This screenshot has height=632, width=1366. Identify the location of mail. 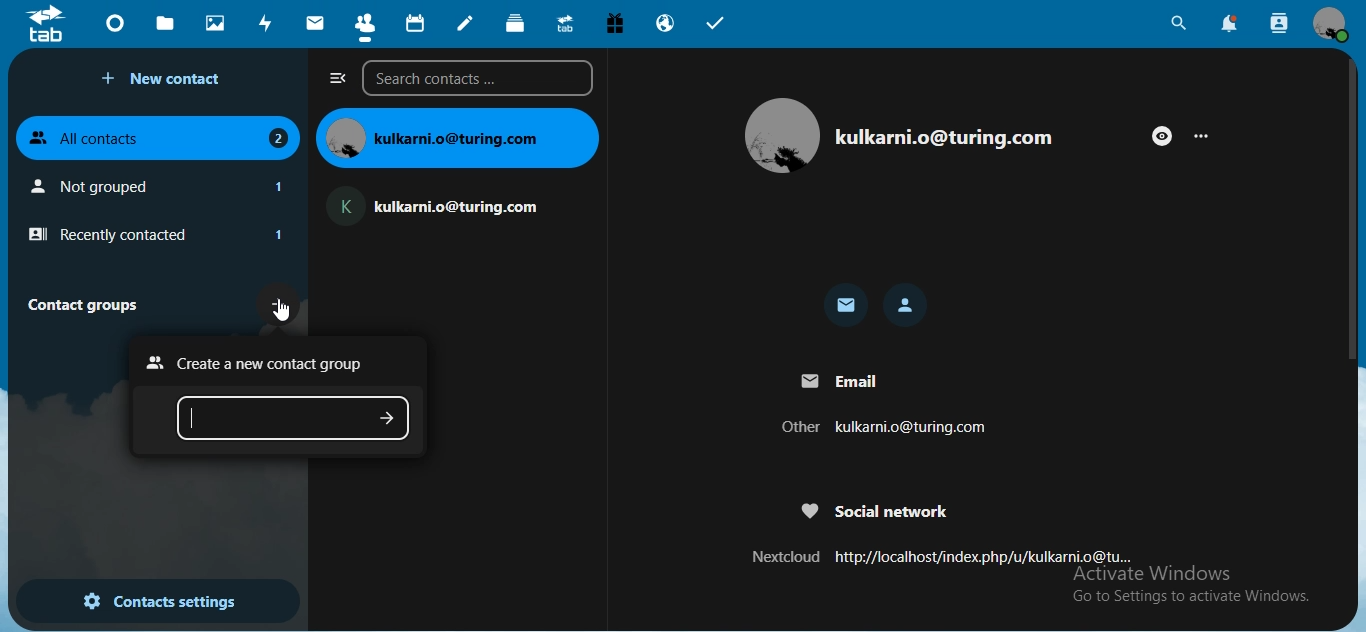
(847, 307).